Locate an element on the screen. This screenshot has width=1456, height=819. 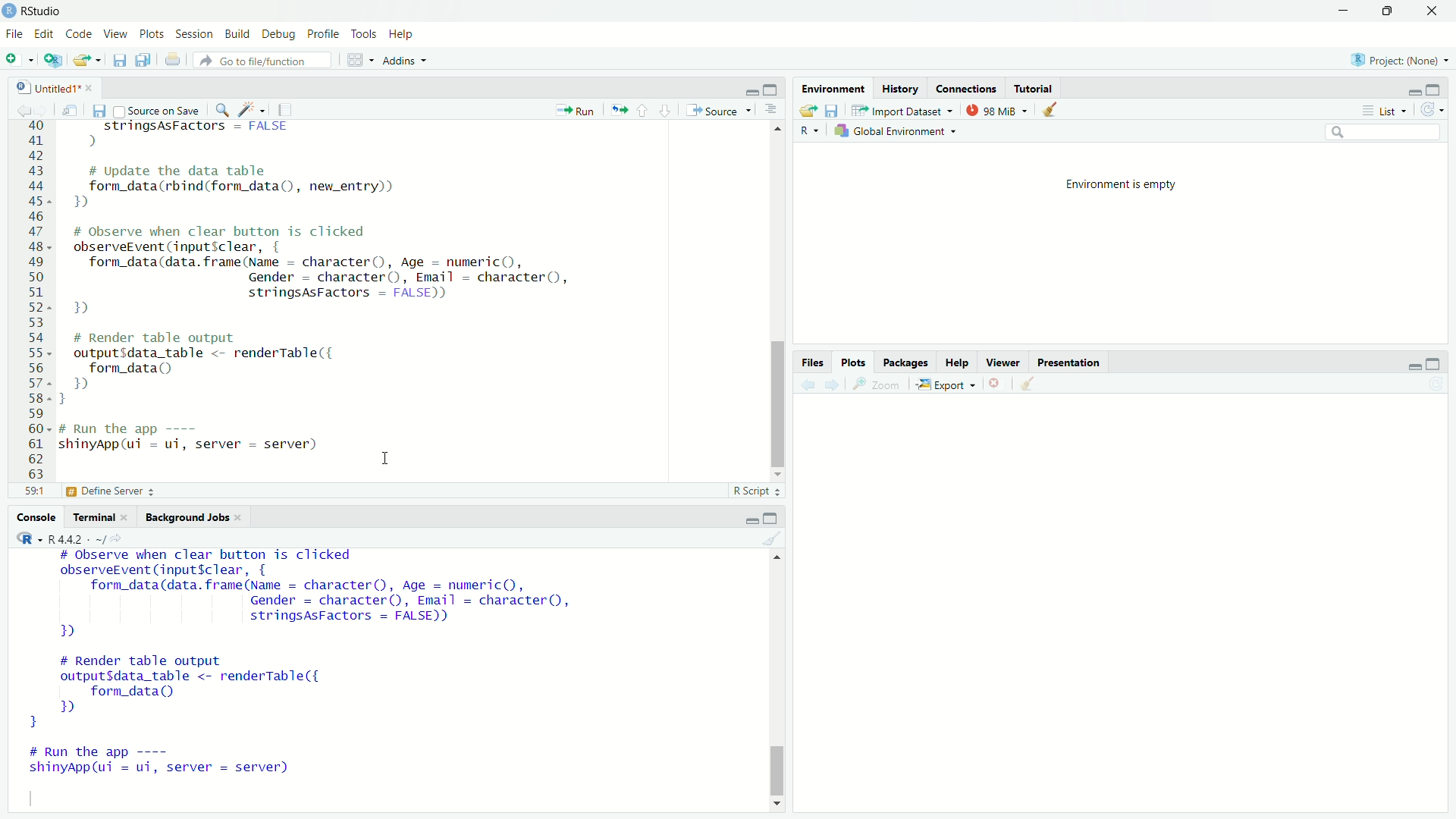
scrollbar is located at coordinates (778, 306).